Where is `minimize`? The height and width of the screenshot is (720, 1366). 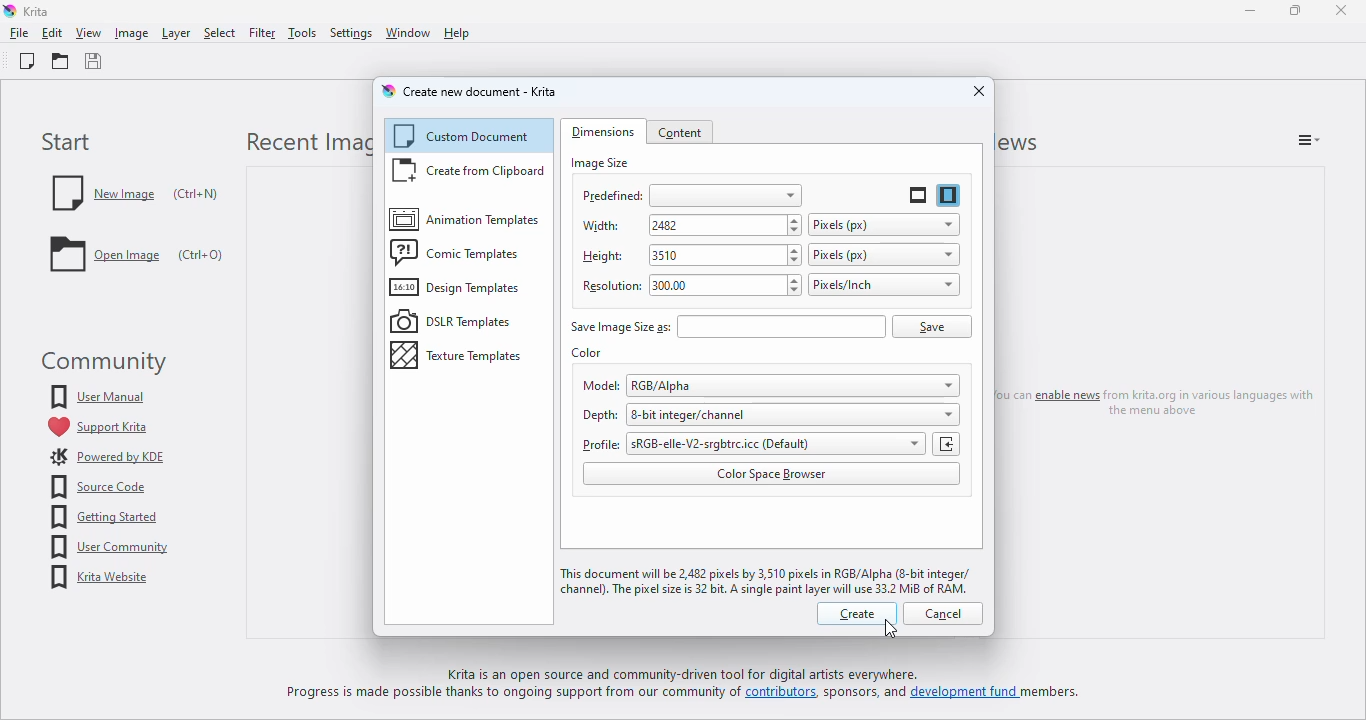
minimize is located at coordinates (1251, 10).